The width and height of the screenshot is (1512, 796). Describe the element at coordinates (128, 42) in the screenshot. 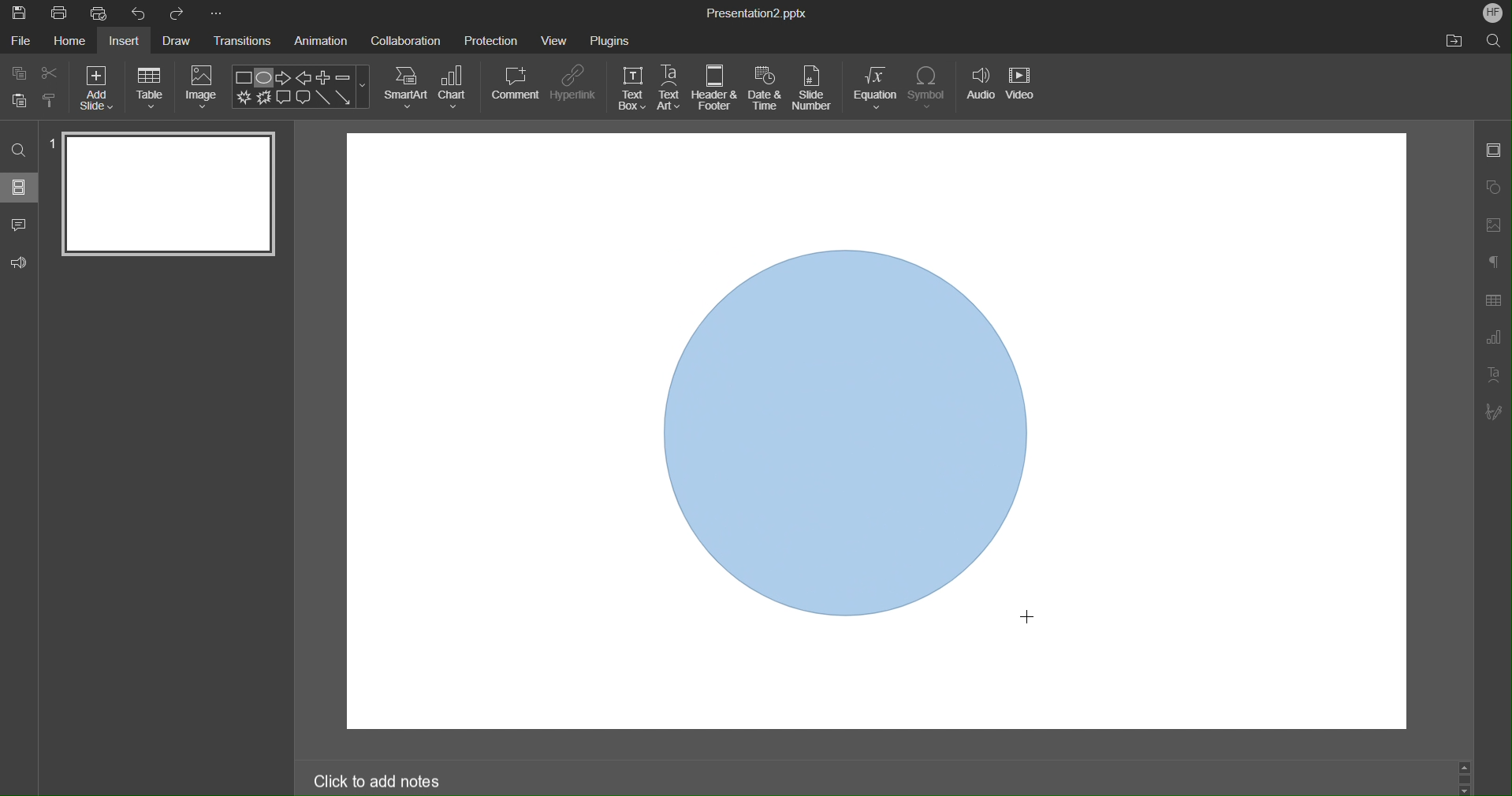

I see `Insert` at that location.